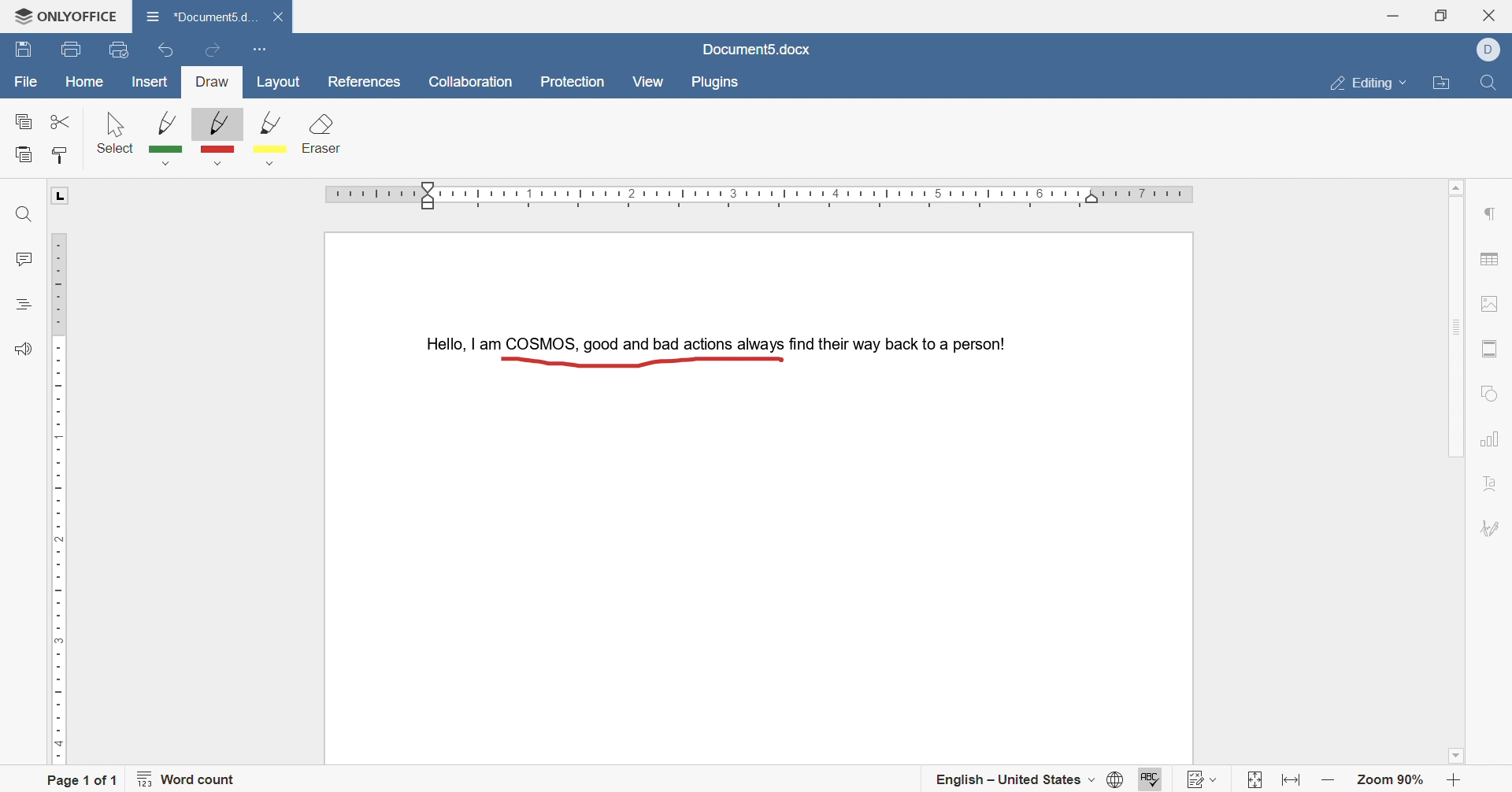 The width and height of the screenshot is (1512, 792). Describe the element at coordinates (168, 137) in the screenshot. I see `green pen ` at that location.